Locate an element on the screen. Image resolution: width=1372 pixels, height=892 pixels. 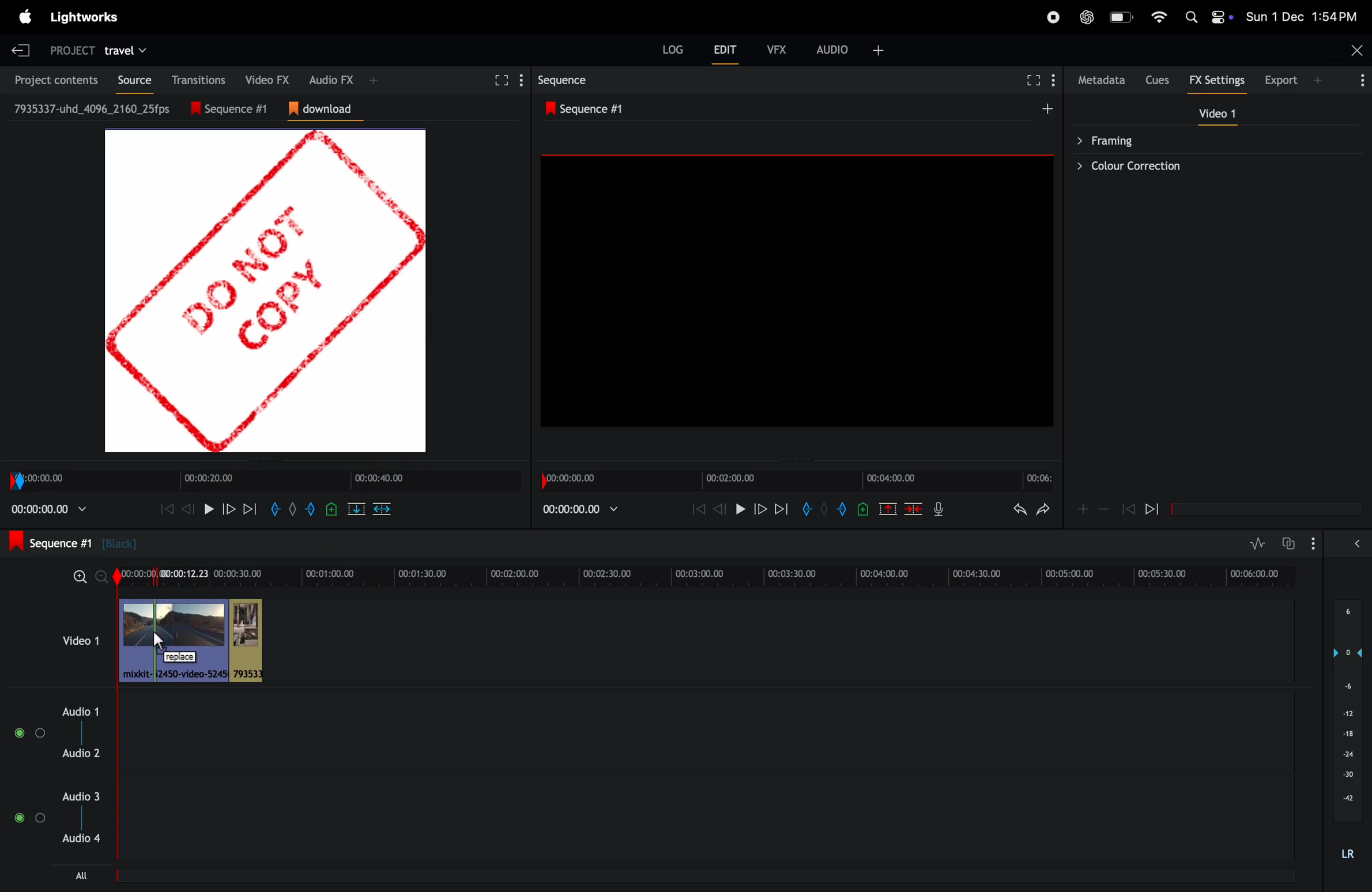
previous frame is located at coordinates (720, 508).